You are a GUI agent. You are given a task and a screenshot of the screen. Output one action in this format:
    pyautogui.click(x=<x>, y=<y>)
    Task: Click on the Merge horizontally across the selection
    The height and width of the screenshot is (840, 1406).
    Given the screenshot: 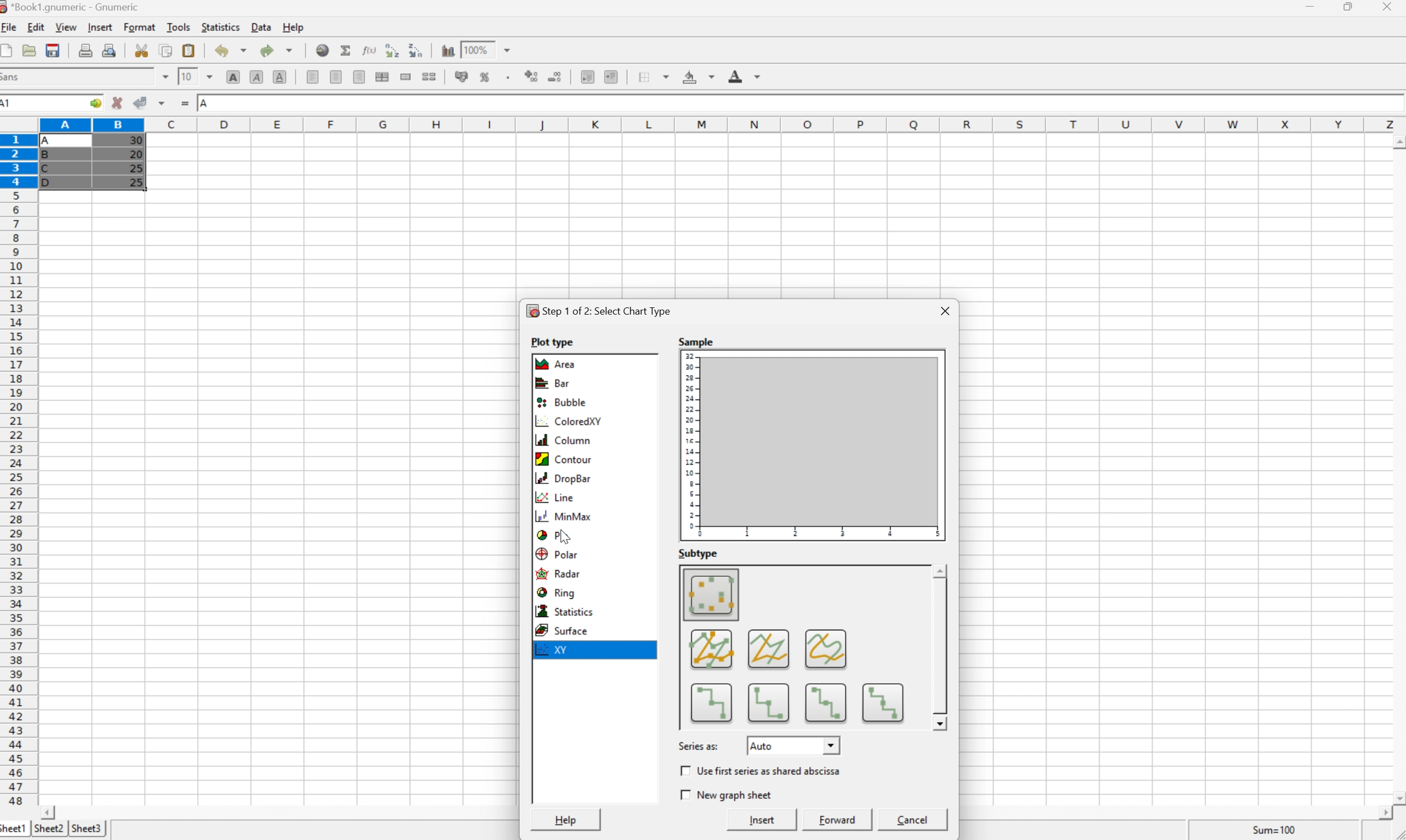 What is the action you would take?
    pyautogui.click(x=382, y=76)
    